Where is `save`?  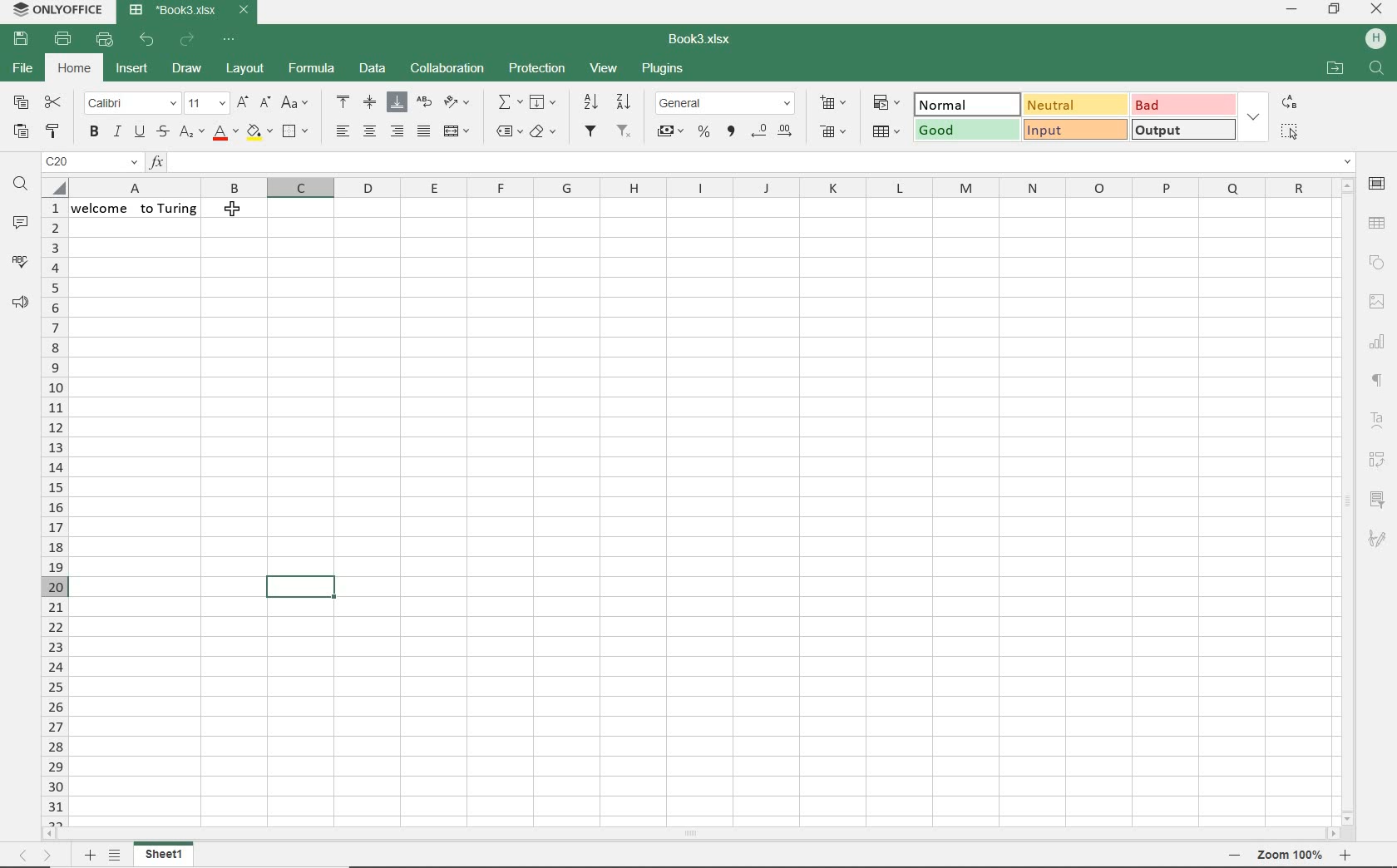 save is located at coordinates (21, 39).